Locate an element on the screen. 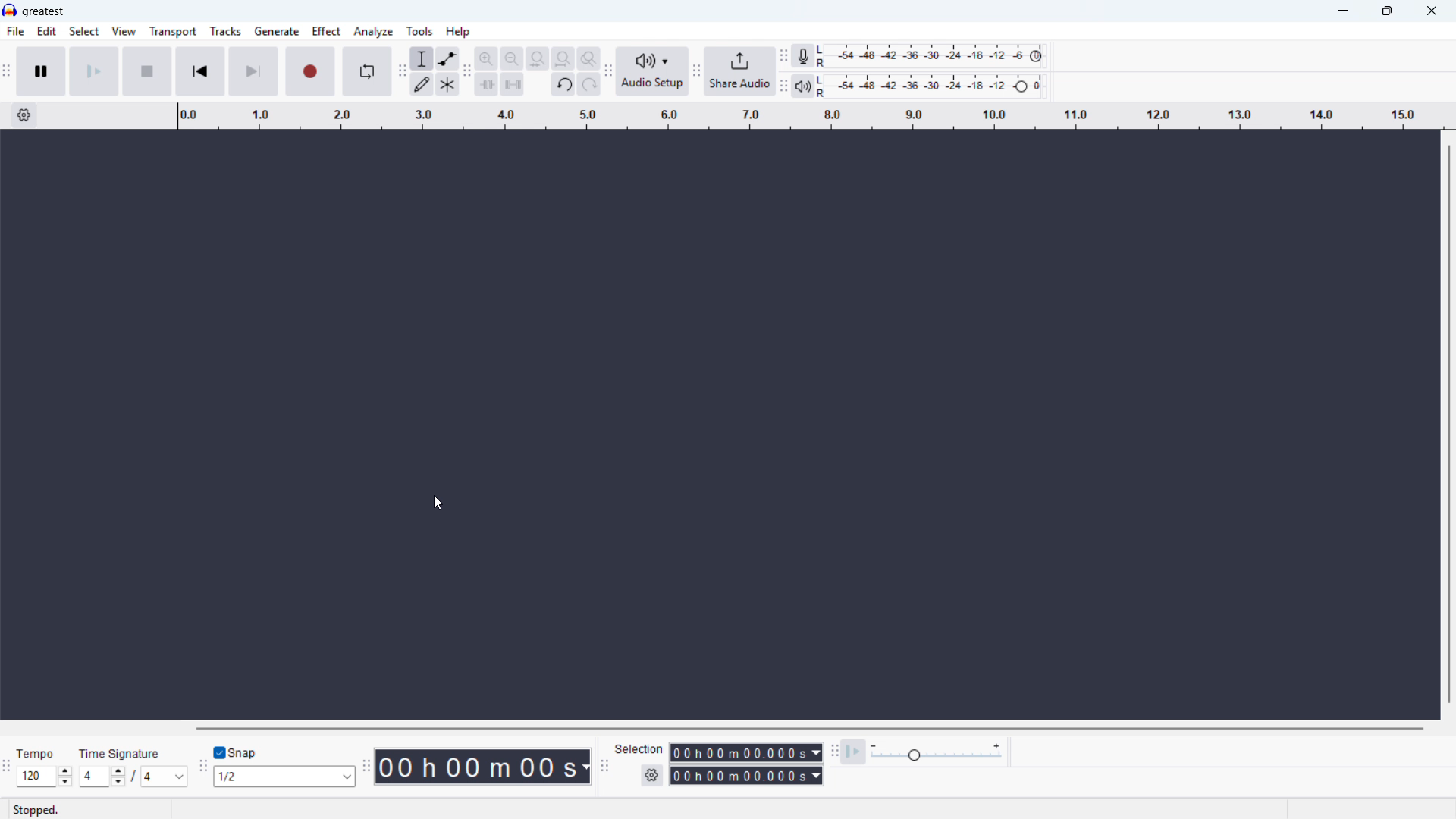  Set time signature  is located at coordinates (133, 777).